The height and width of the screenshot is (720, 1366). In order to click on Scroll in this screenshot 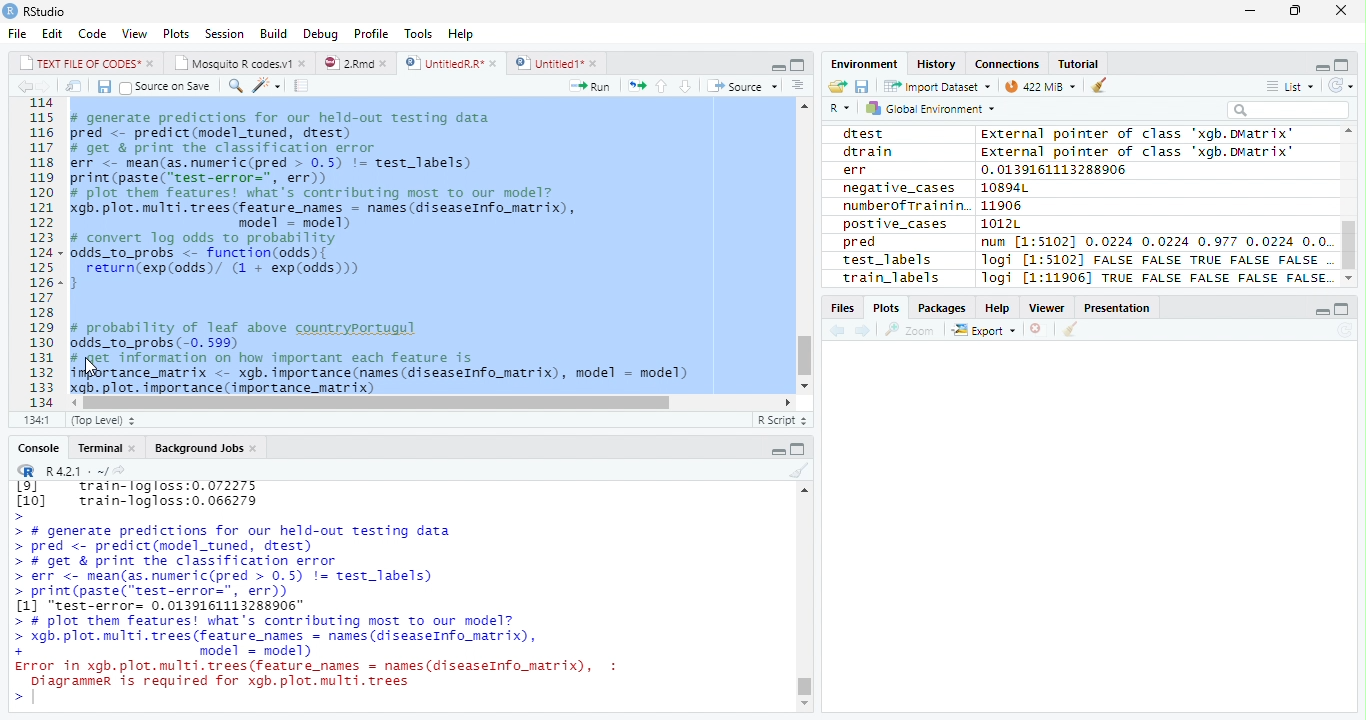, I will do `click(431, 404)`.